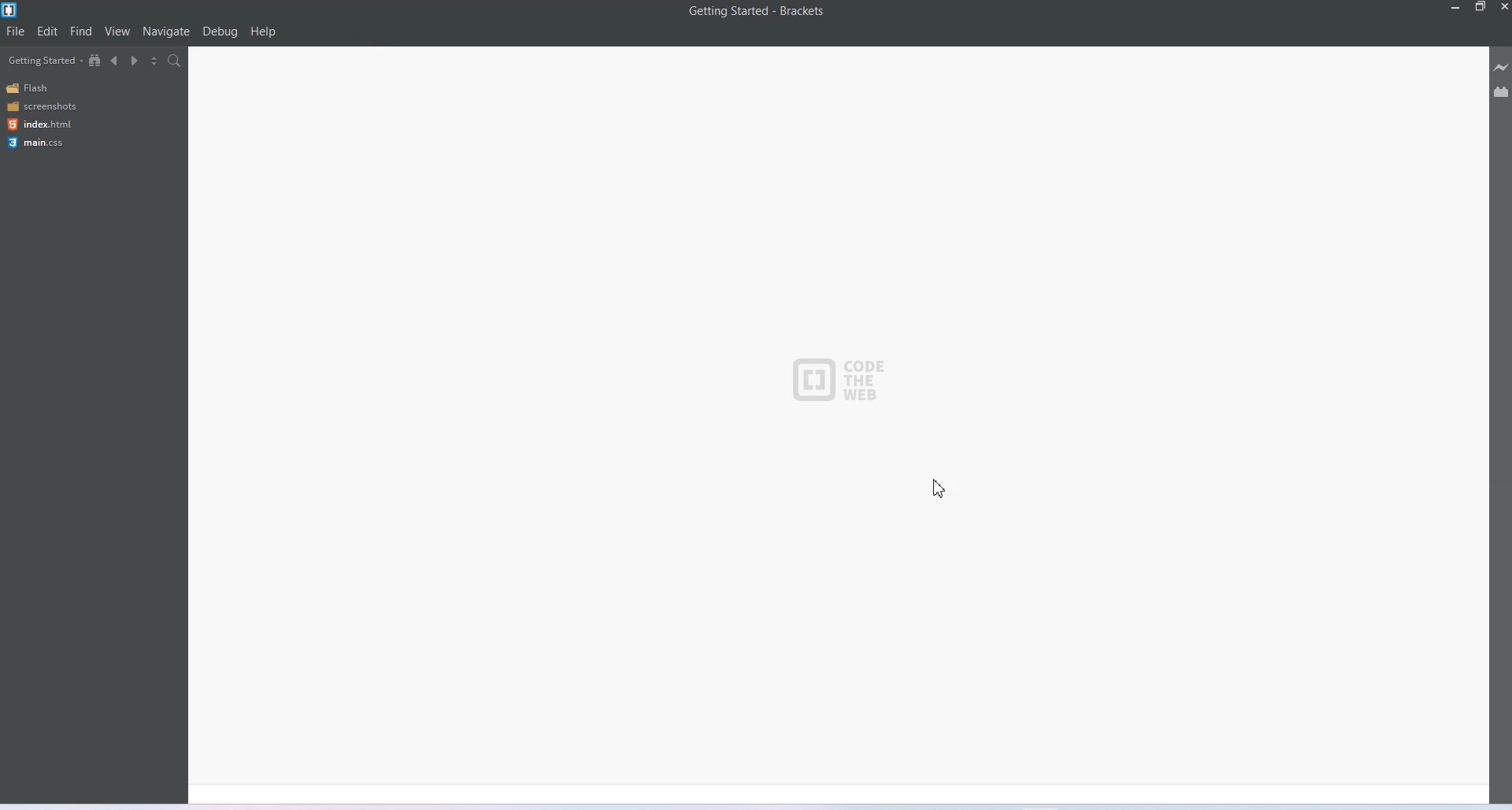  Describe the element at coordinates (1502, 67) in the screenshot. I see `Live preview` at that location.